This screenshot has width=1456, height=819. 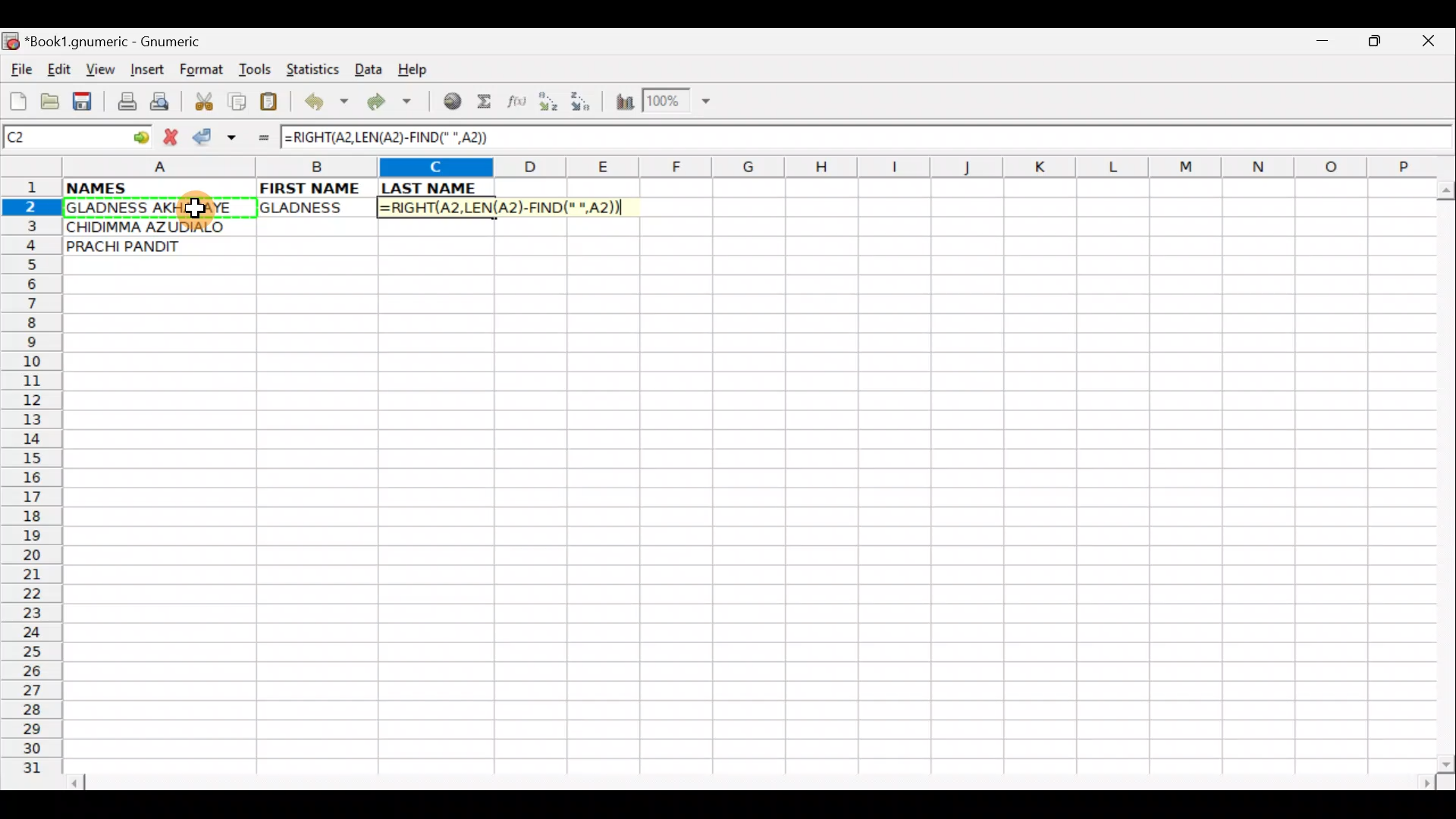 What do you see at coordinates (96, 69) in the screenshot?
I see `View` at bounding box center [96, 69].